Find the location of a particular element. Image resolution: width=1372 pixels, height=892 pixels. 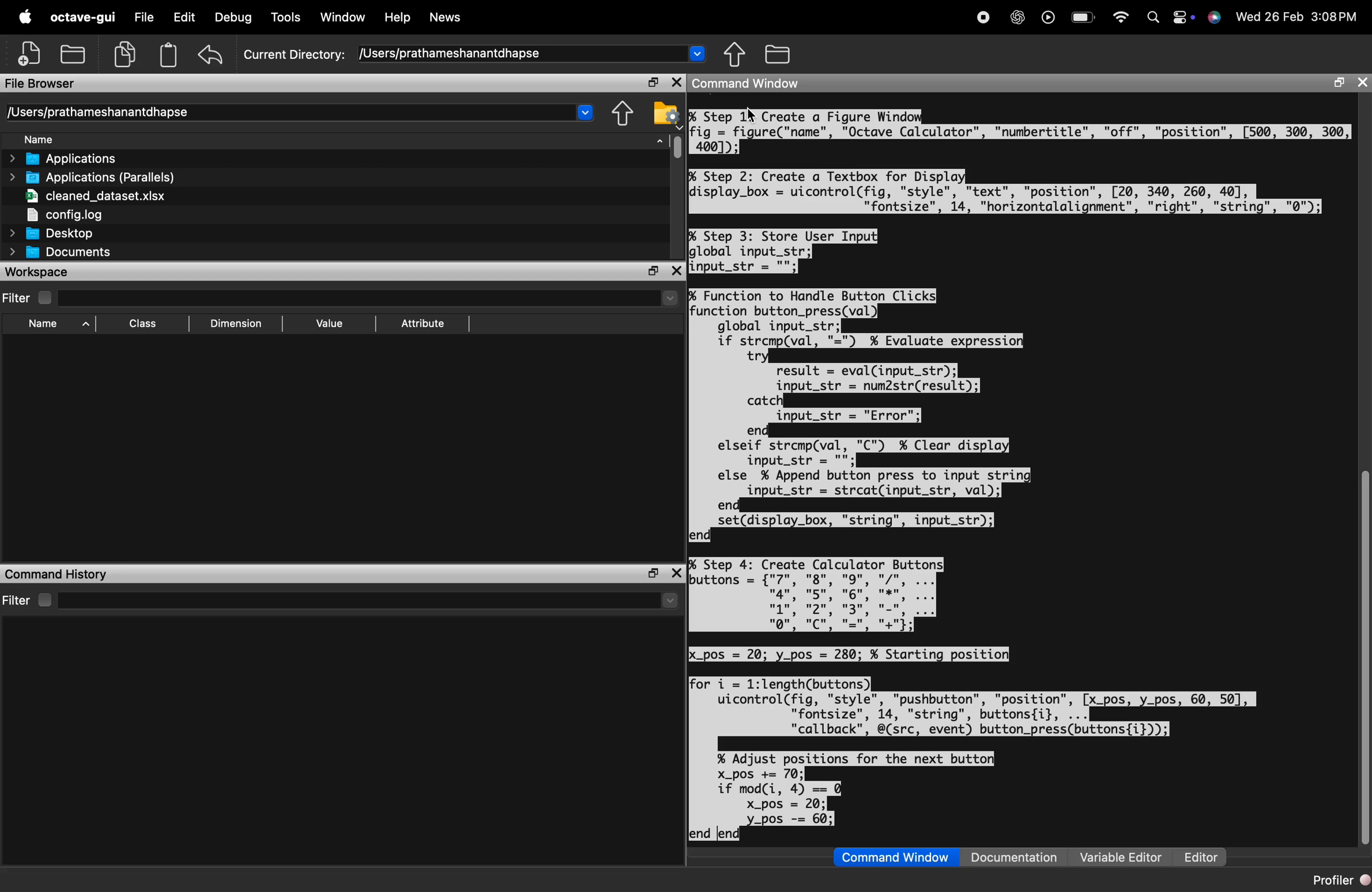

Documentation is located at coordinates (1014, 858).